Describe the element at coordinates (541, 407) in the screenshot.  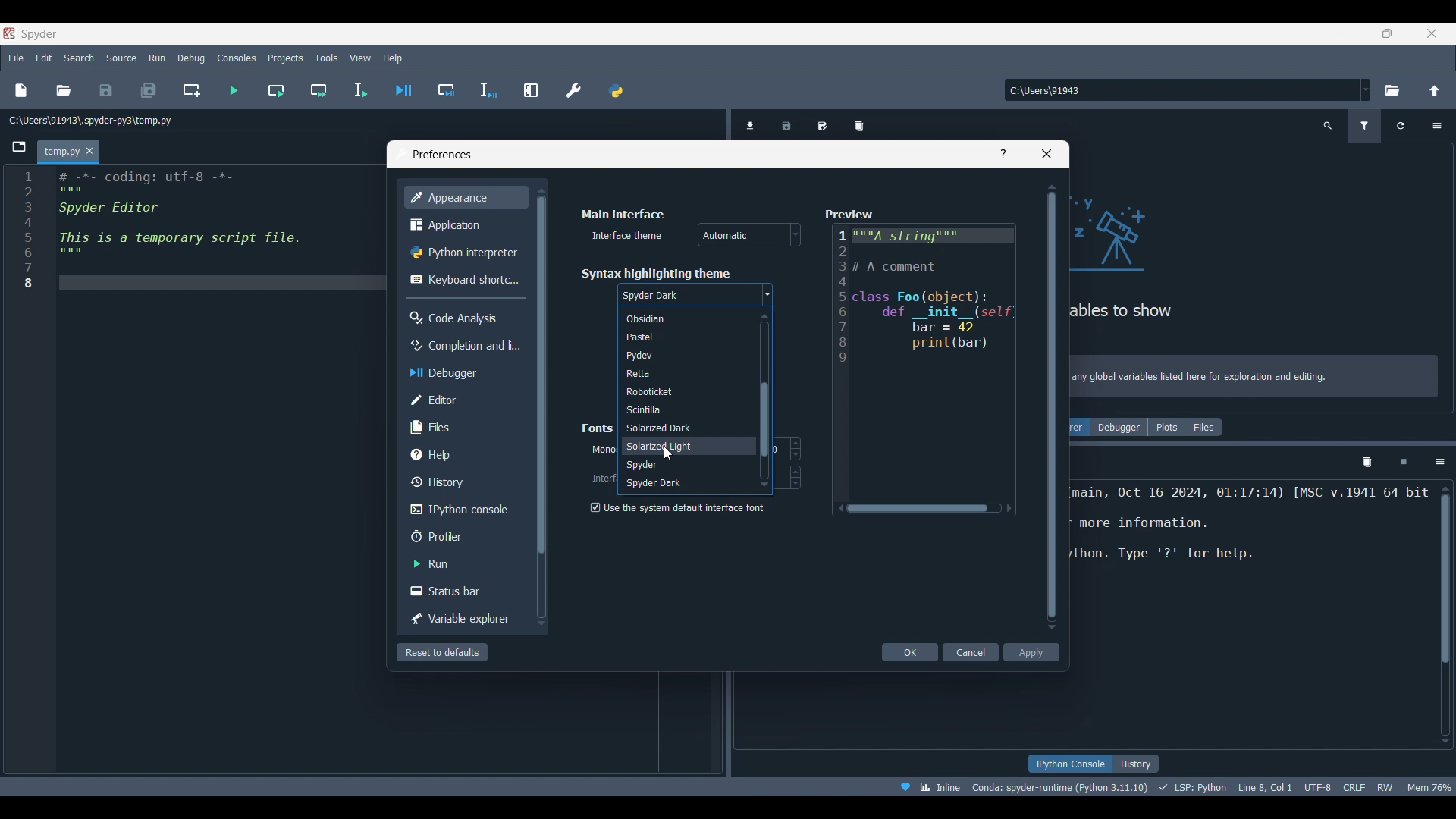
I see `Vertical slide bar` at that location.